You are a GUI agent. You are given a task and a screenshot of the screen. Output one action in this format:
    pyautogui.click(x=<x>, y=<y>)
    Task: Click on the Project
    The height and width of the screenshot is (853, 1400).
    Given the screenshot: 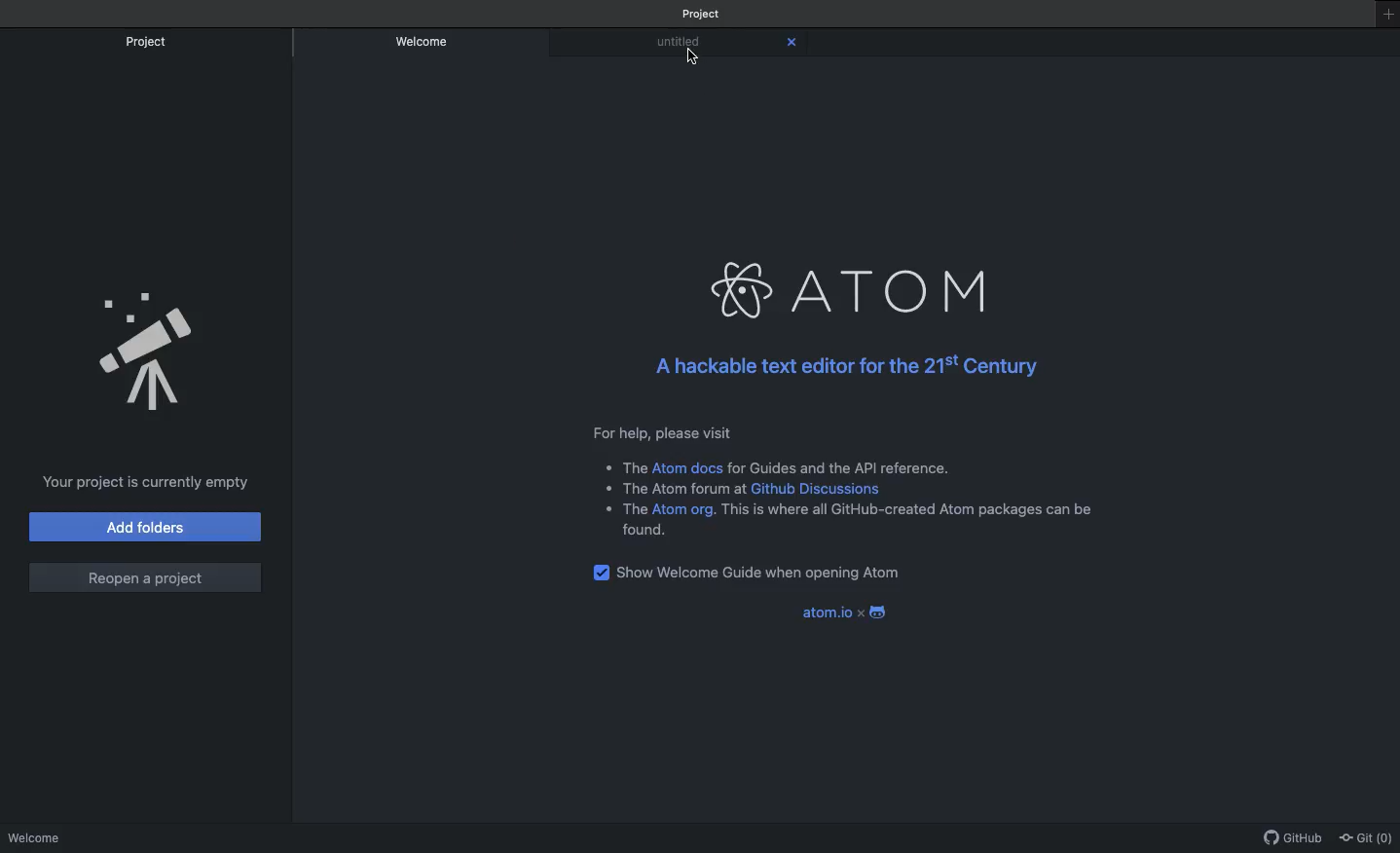 What is the action you would take?
    pyautogui.click(x=147, y=44)
    